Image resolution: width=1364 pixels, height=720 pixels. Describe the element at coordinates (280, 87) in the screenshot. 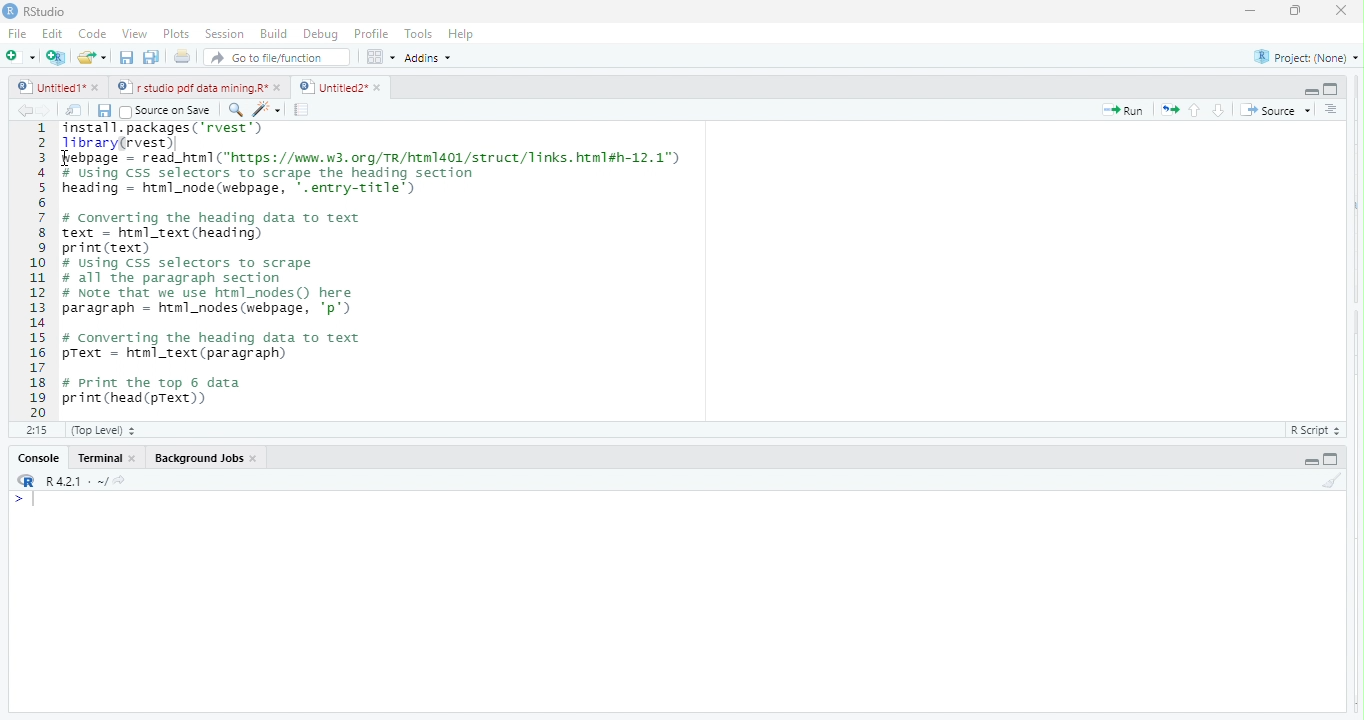

I see `close` at that location.